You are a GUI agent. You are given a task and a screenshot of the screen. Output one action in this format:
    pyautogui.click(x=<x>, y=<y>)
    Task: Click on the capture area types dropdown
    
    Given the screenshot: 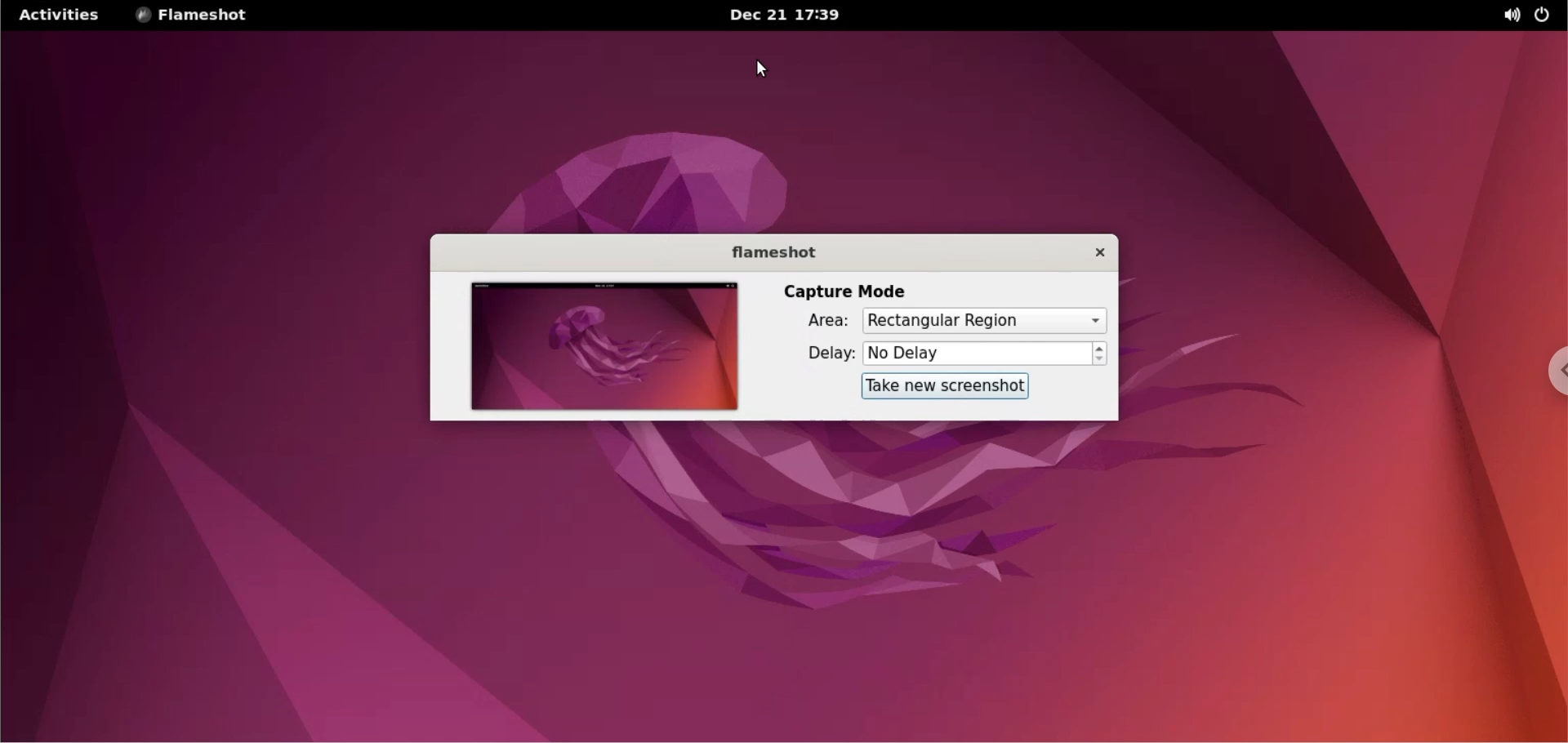 What is the action you would take?
    pyautogui.click(x=984, y=320)
    